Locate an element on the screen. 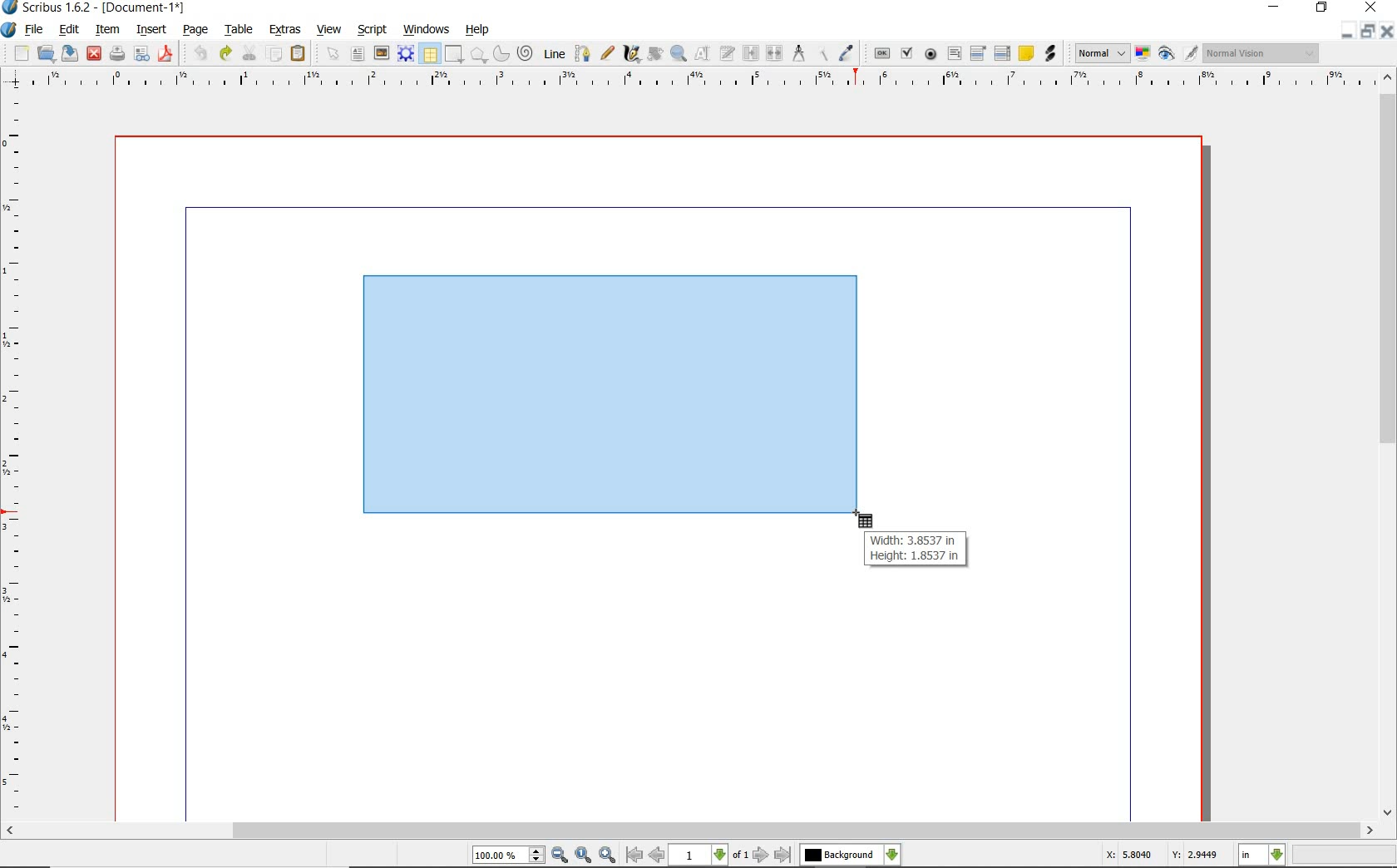 Image resolution: width=1397 pixels, height=868 pixels. edit text with story editor is located at coordinates (728, 52).